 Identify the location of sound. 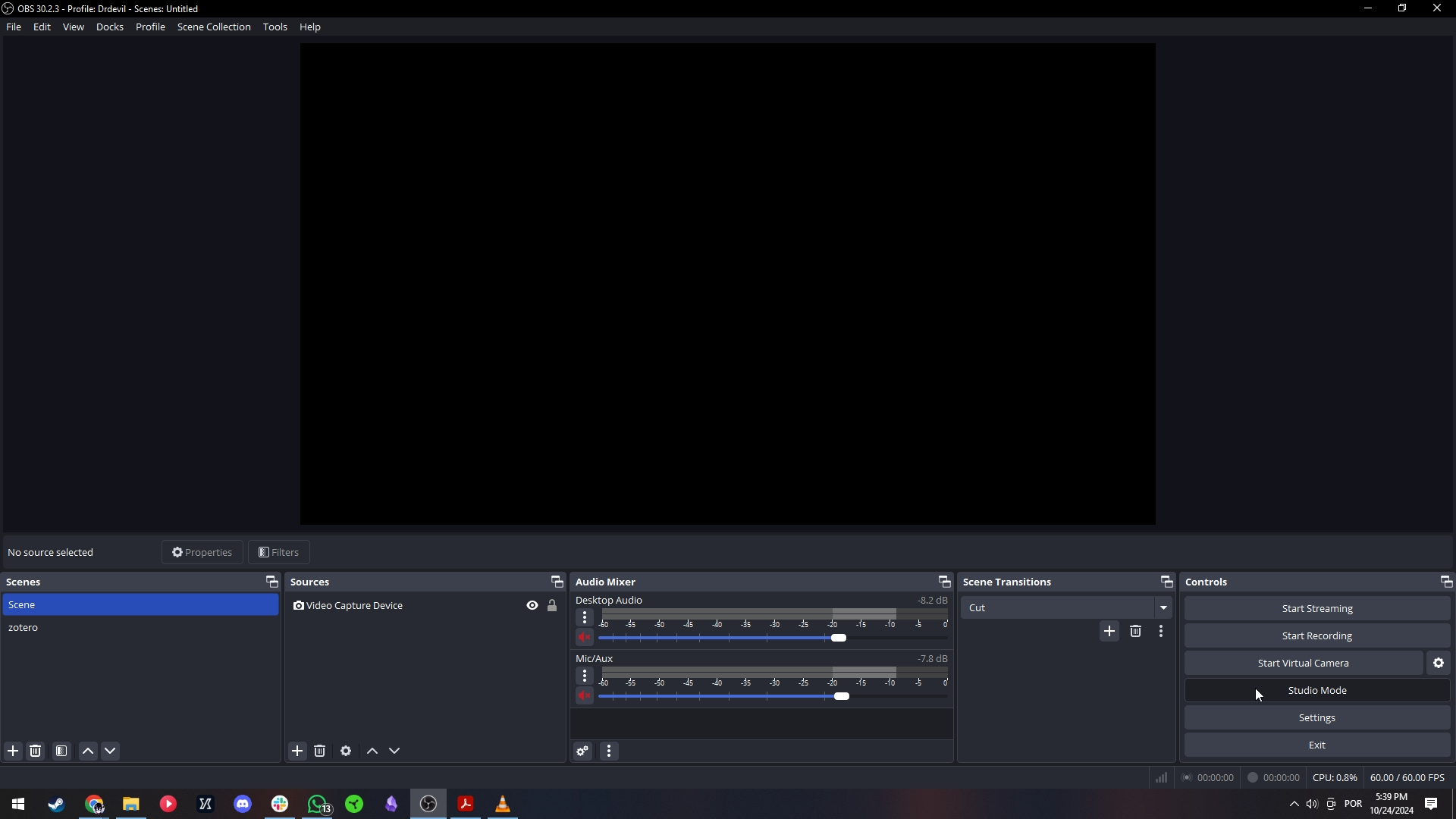
(1310, 805).